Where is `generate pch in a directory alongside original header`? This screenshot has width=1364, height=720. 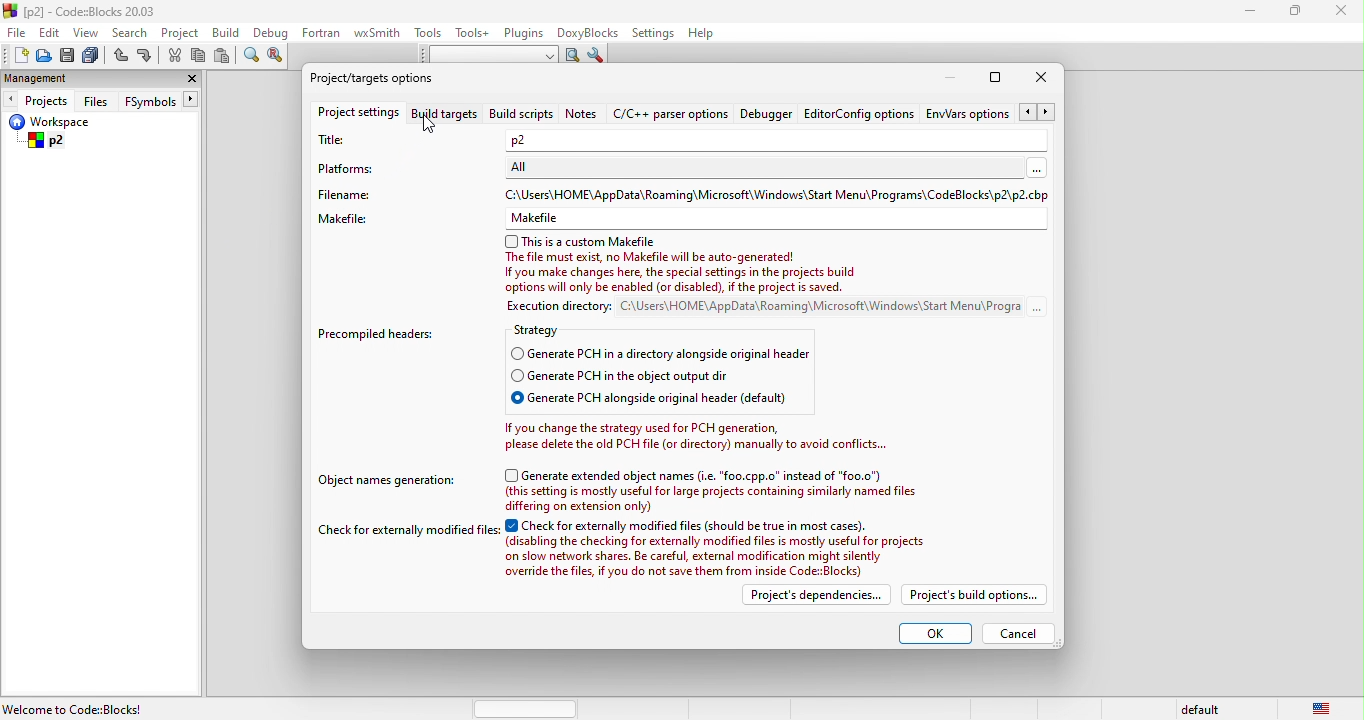 generate pch in a directory alongside original header is located at coordinates (667, 354).